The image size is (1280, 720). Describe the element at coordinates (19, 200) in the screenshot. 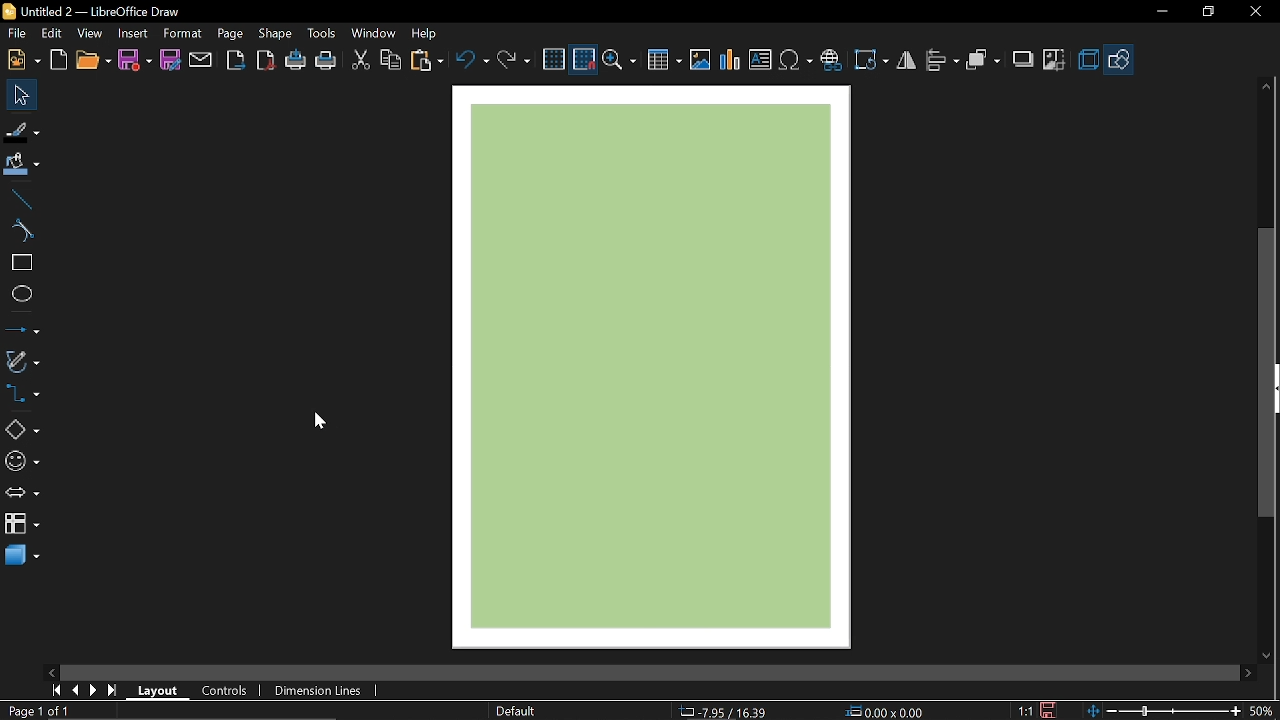

I see `Line` at that location.